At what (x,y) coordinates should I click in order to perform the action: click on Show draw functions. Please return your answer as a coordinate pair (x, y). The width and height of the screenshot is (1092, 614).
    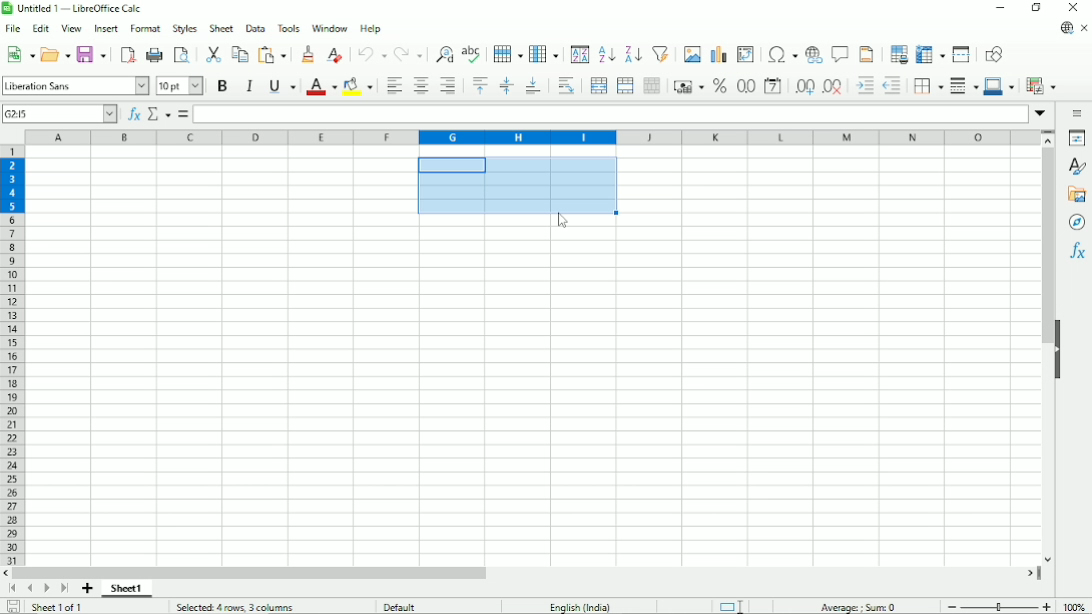
    Looking at the image, I should click on (994, 53).